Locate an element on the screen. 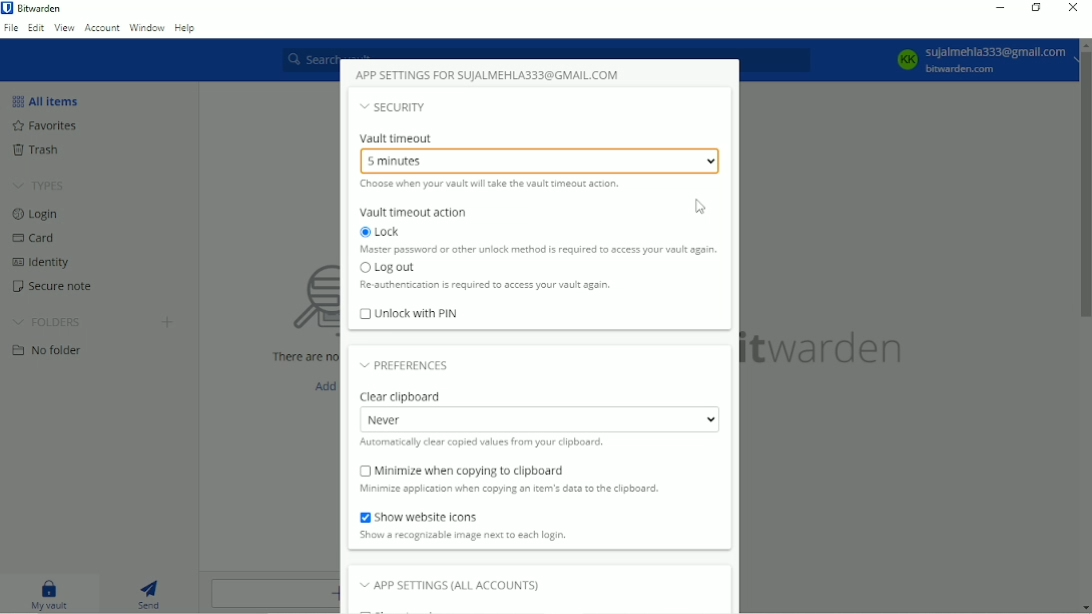 This screenshot has width=1092, height=614. Clear clipboard is located at coordinates (401, 396).